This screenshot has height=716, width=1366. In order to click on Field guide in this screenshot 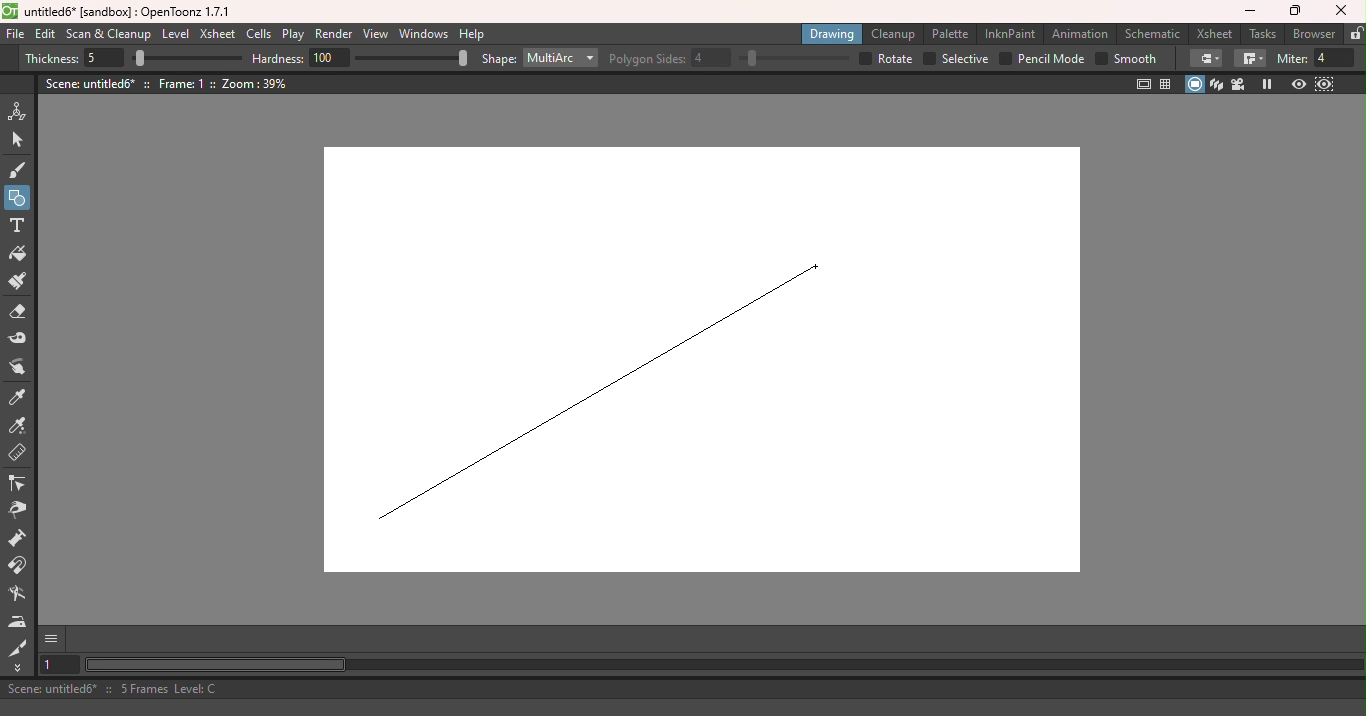, I will do `click(1168, 85)`.